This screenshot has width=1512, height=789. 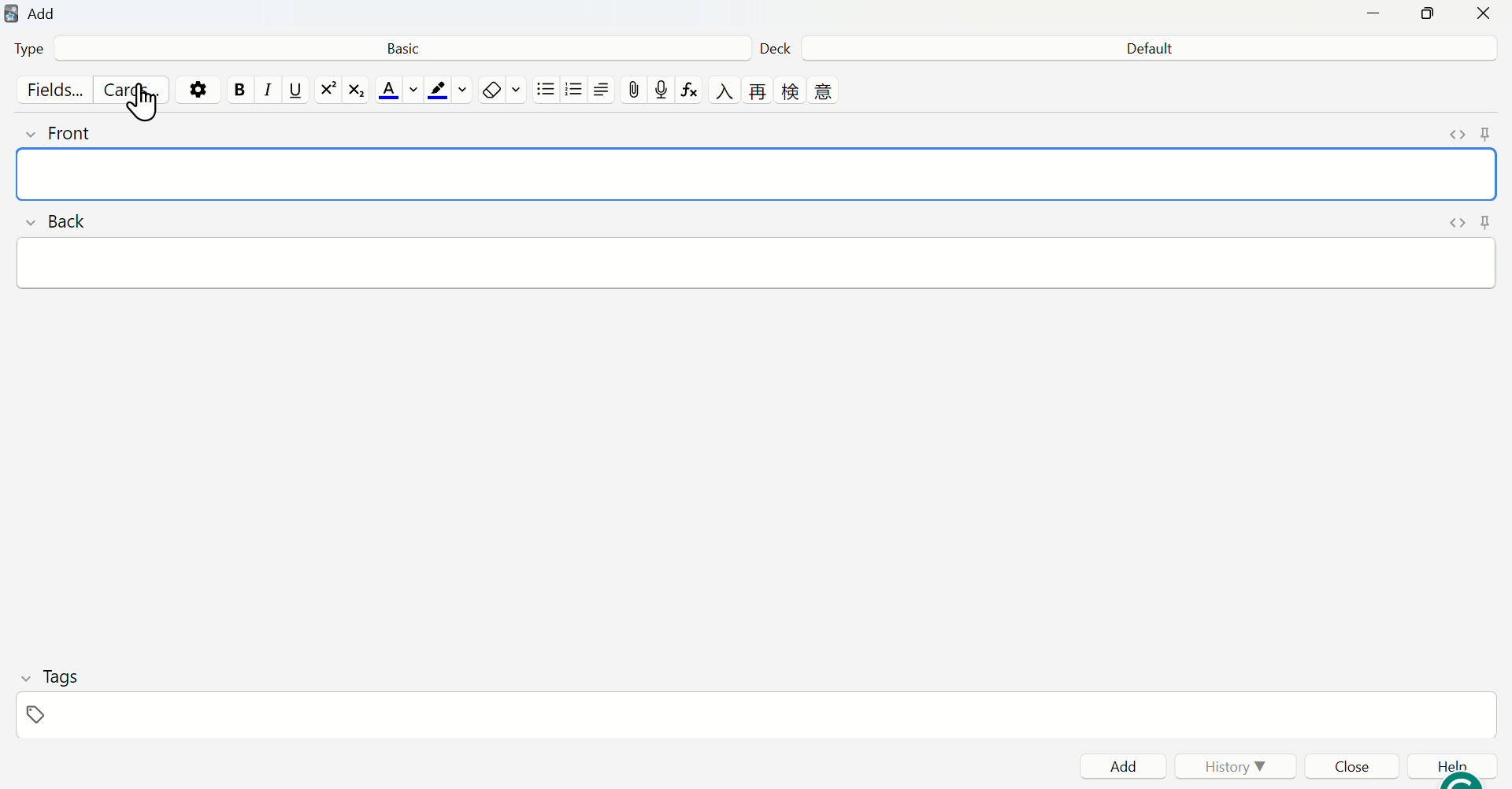 What do you see at coordinates (502, 91) in the screenshot?
I see `Remove formatting` at bounding box center [502, 91].